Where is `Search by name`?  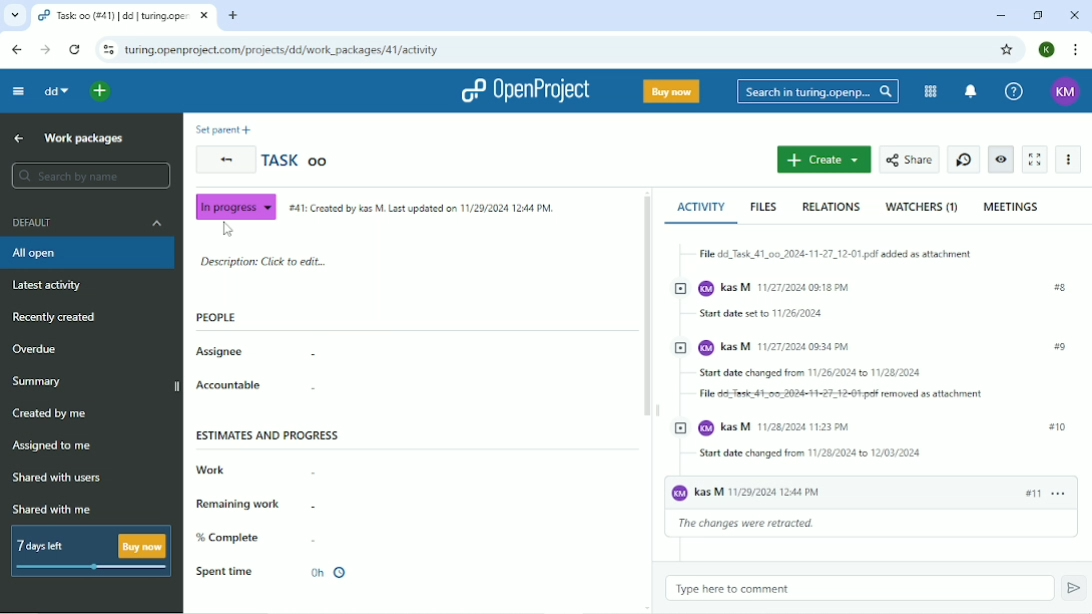 Search by name is located at coordinates (85, 173).